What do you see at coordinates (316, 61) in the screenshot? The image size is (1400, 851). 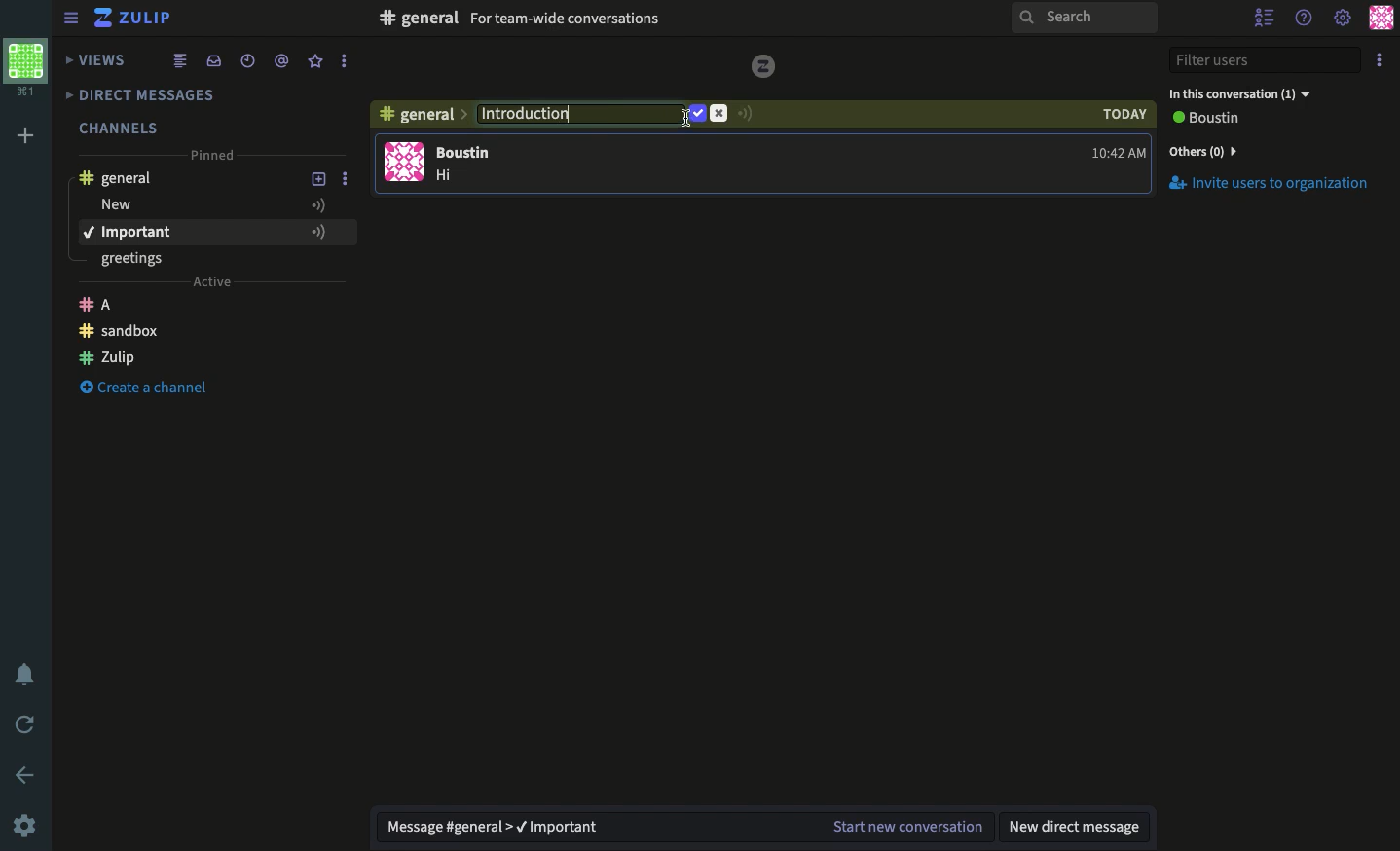 I see `Favorite` at bounding box center [316, 61].